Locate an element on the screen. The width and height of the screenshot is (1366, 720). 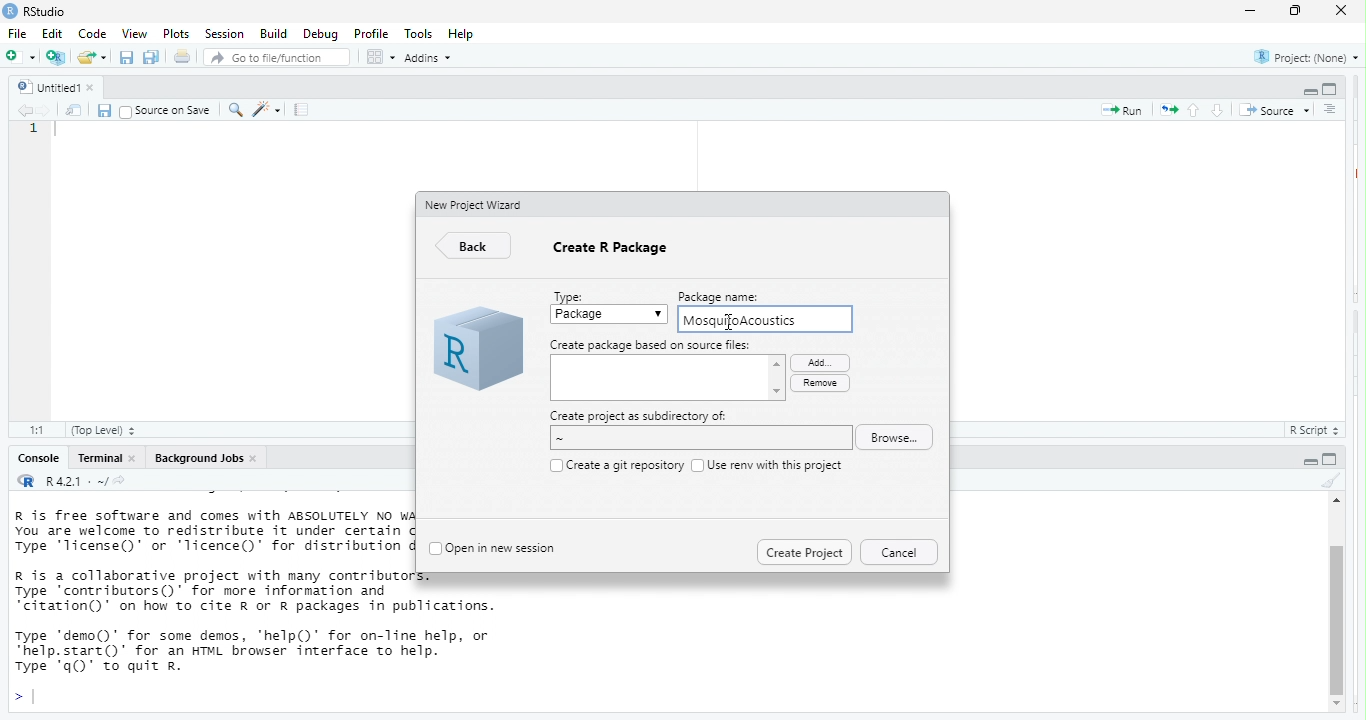
save all open documents is located at coordinates (152, 57).